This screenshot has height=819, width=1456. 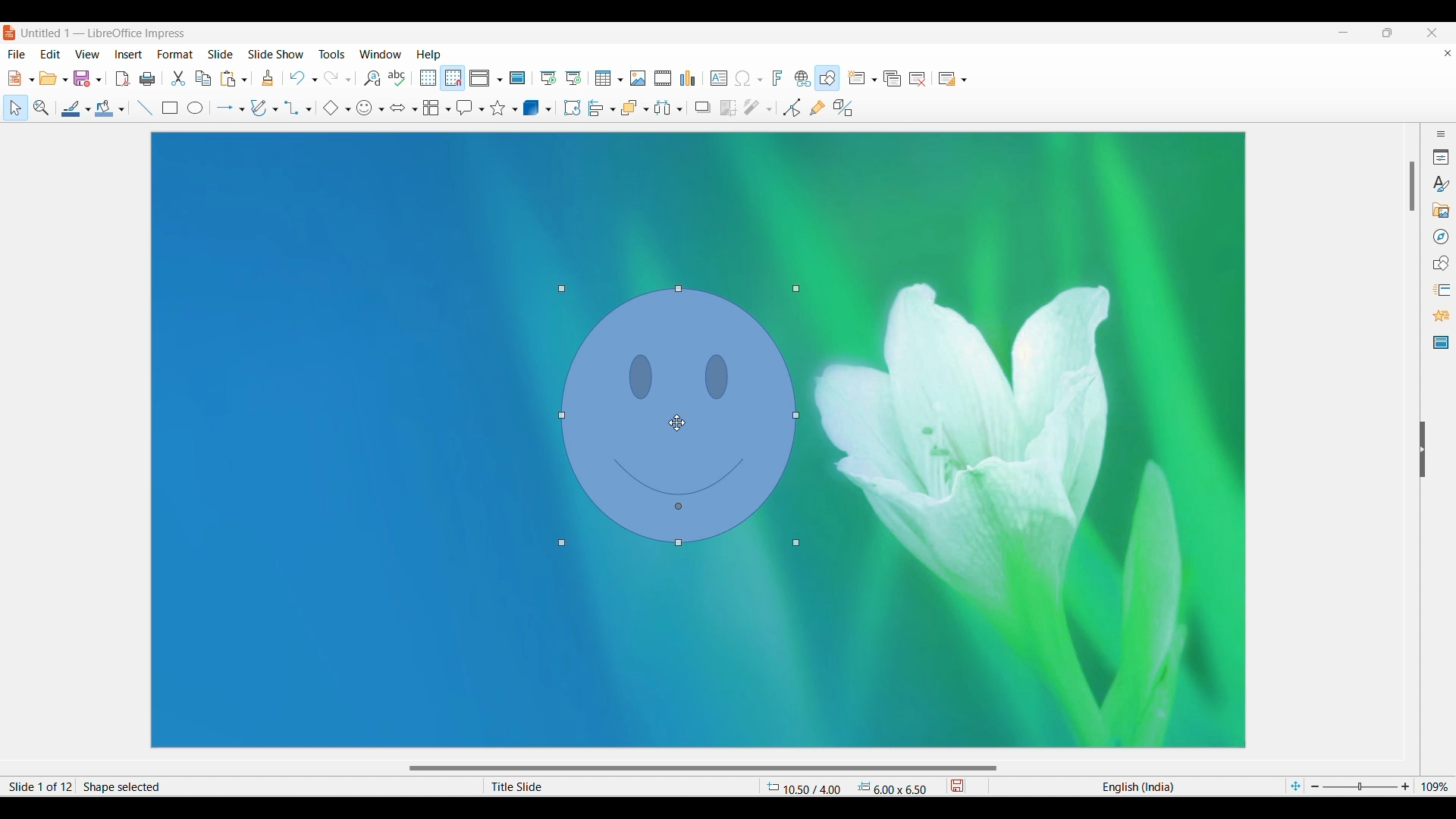 I want to click on Open, so click(x=49, y=78).